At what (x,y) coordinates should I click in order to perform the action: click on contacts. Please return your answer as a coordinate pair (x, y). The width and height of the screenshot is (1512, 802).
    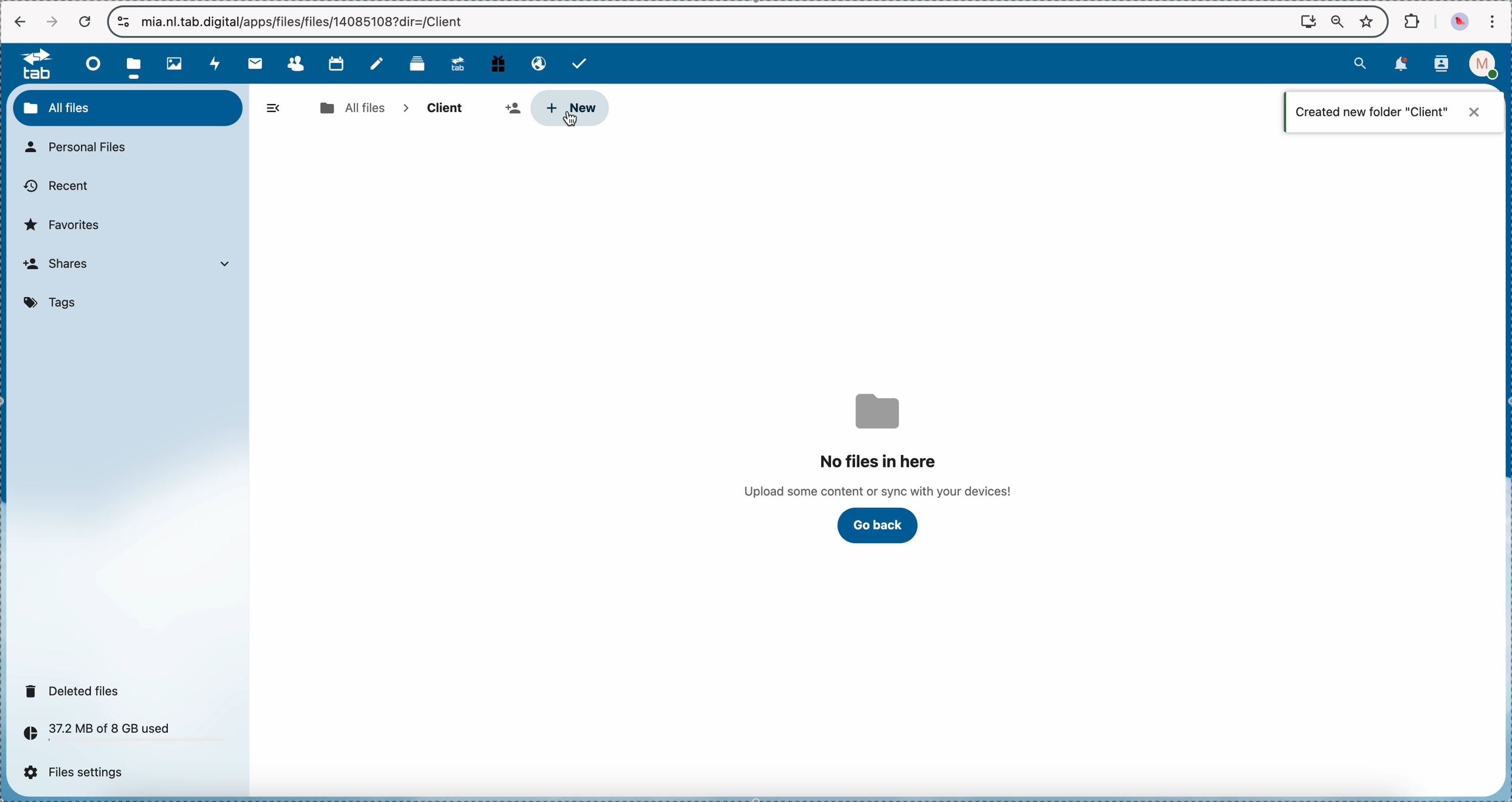
    Looking at the image, I should click on (1442, 65).